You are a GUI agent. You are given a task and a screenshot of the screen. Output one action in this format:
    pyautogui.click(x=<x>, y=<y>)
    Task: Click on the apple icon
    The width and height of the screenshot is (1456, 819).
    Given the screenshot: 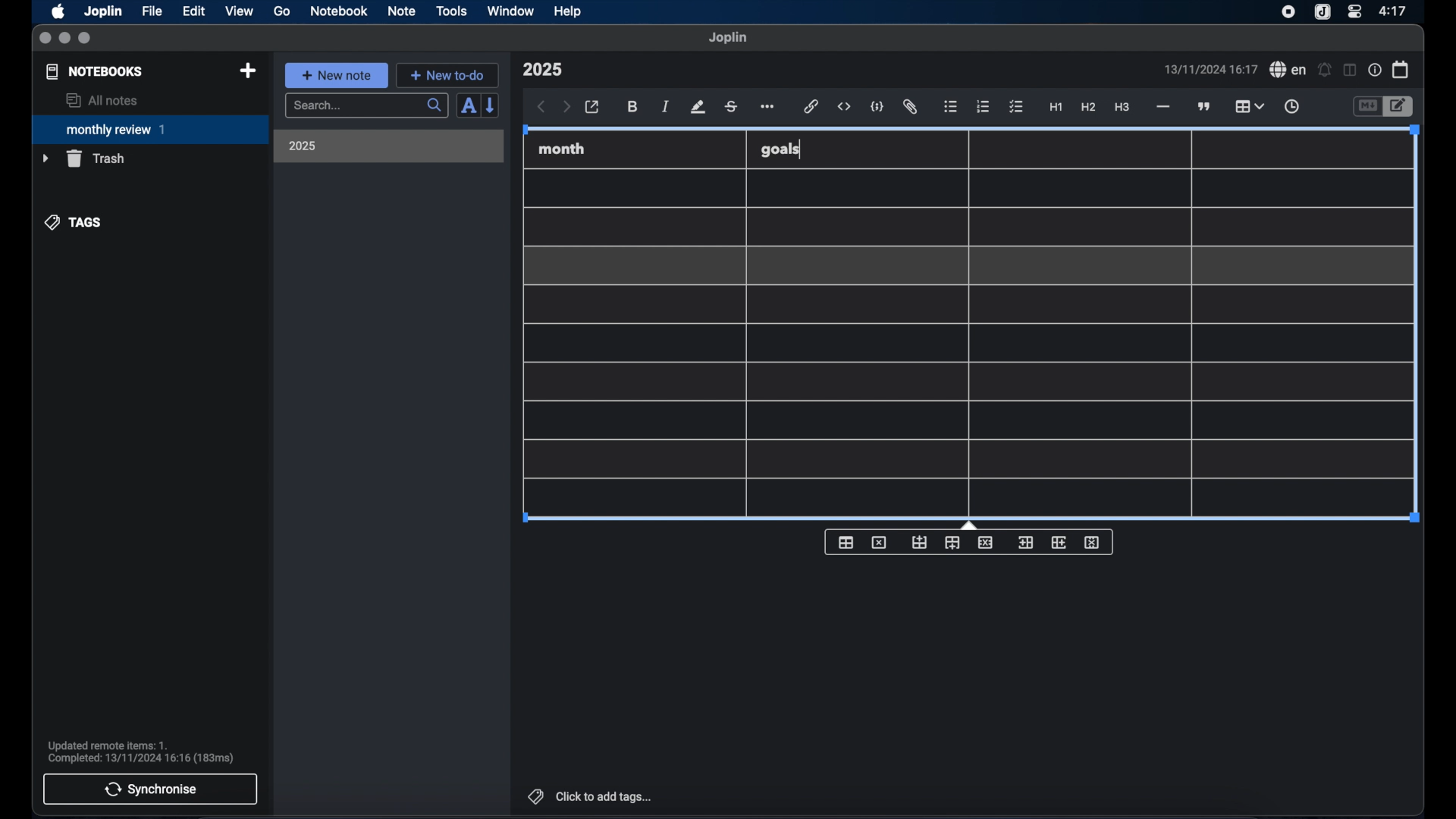 What is the action you would take?
    pyautogui.click(x=57, y=11)
    